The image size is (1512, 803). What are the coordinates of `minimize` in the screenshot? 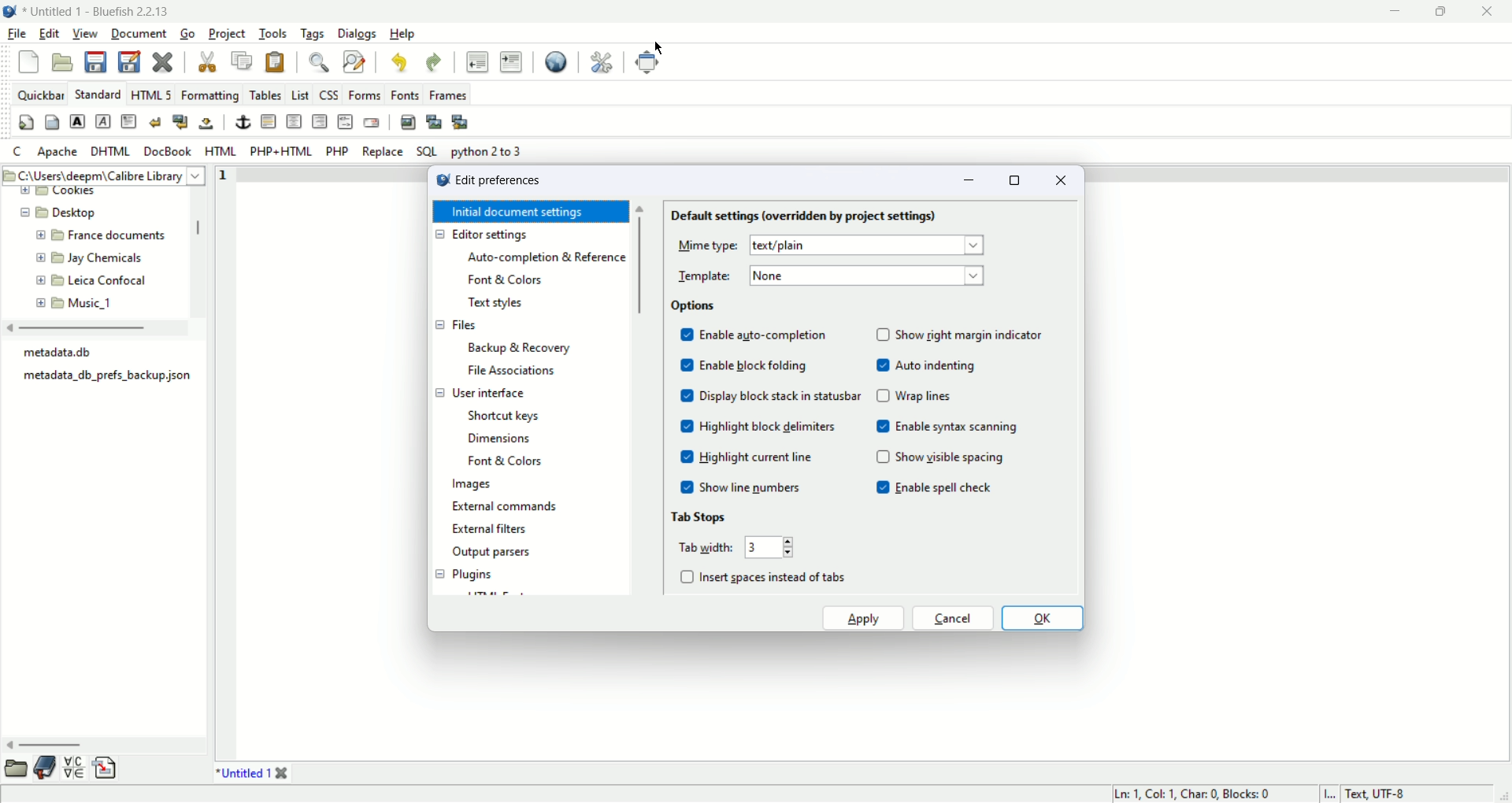 It's located at (1398, 13).